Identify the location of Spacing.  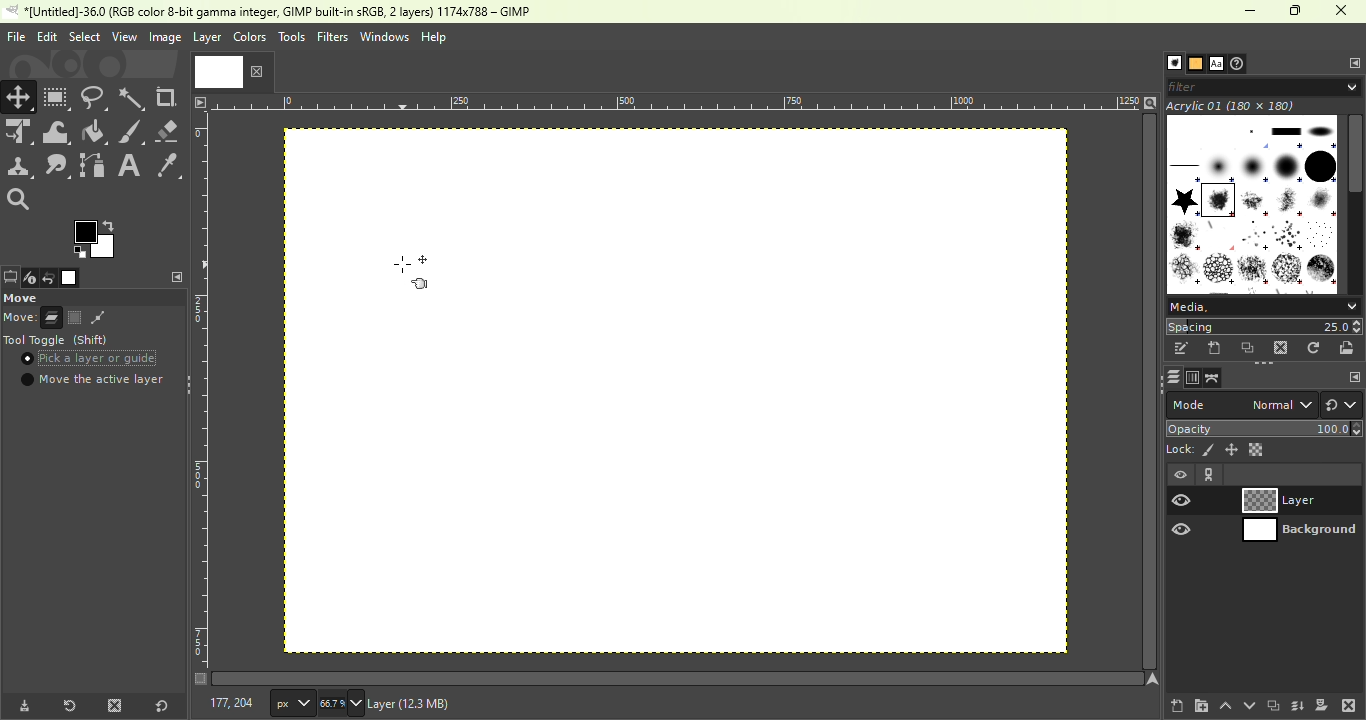
(1264, 326).